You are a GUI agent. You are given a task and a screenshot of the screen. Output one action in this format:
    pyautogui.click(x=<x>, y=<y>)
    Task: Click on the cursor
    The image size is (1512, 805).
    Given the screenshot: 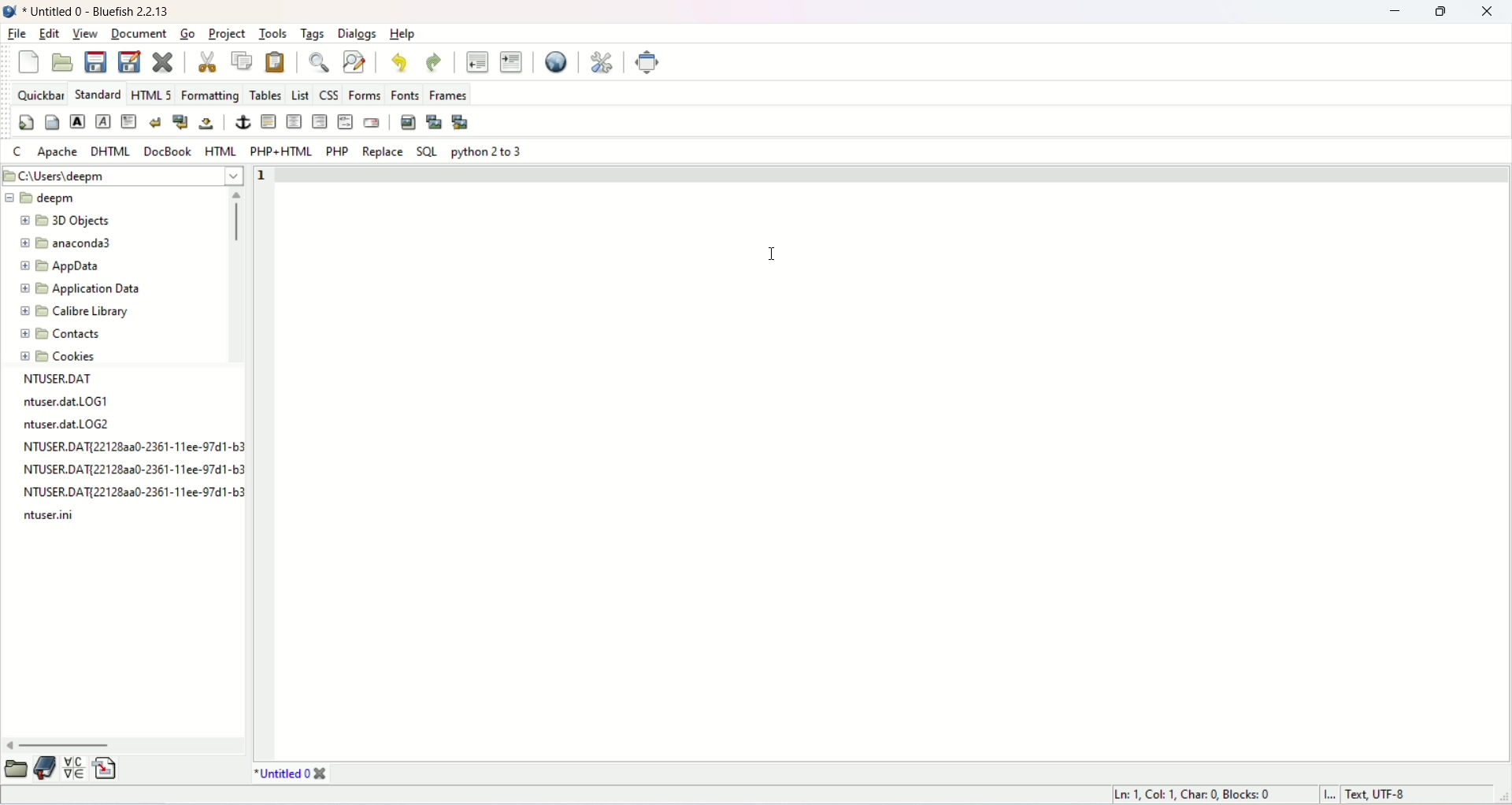 What is the action you would take?
    pyautogui.click(x=774, y=257)
    